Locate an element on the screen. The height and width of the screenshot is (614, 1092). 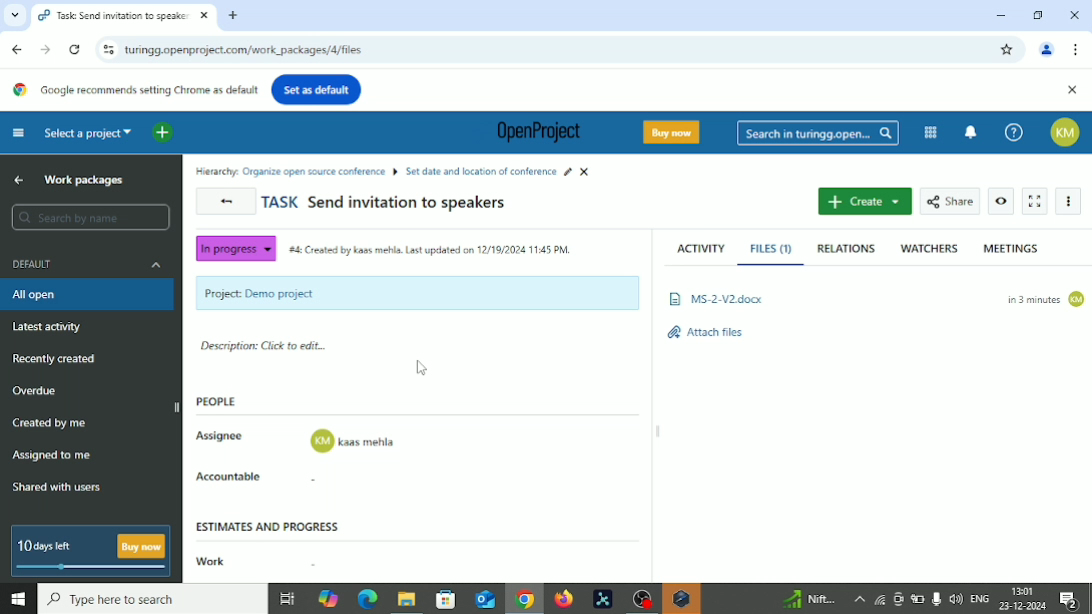
file added: B Ms-2-v2docx 3 minutes  is located at coordinates (872, 300).